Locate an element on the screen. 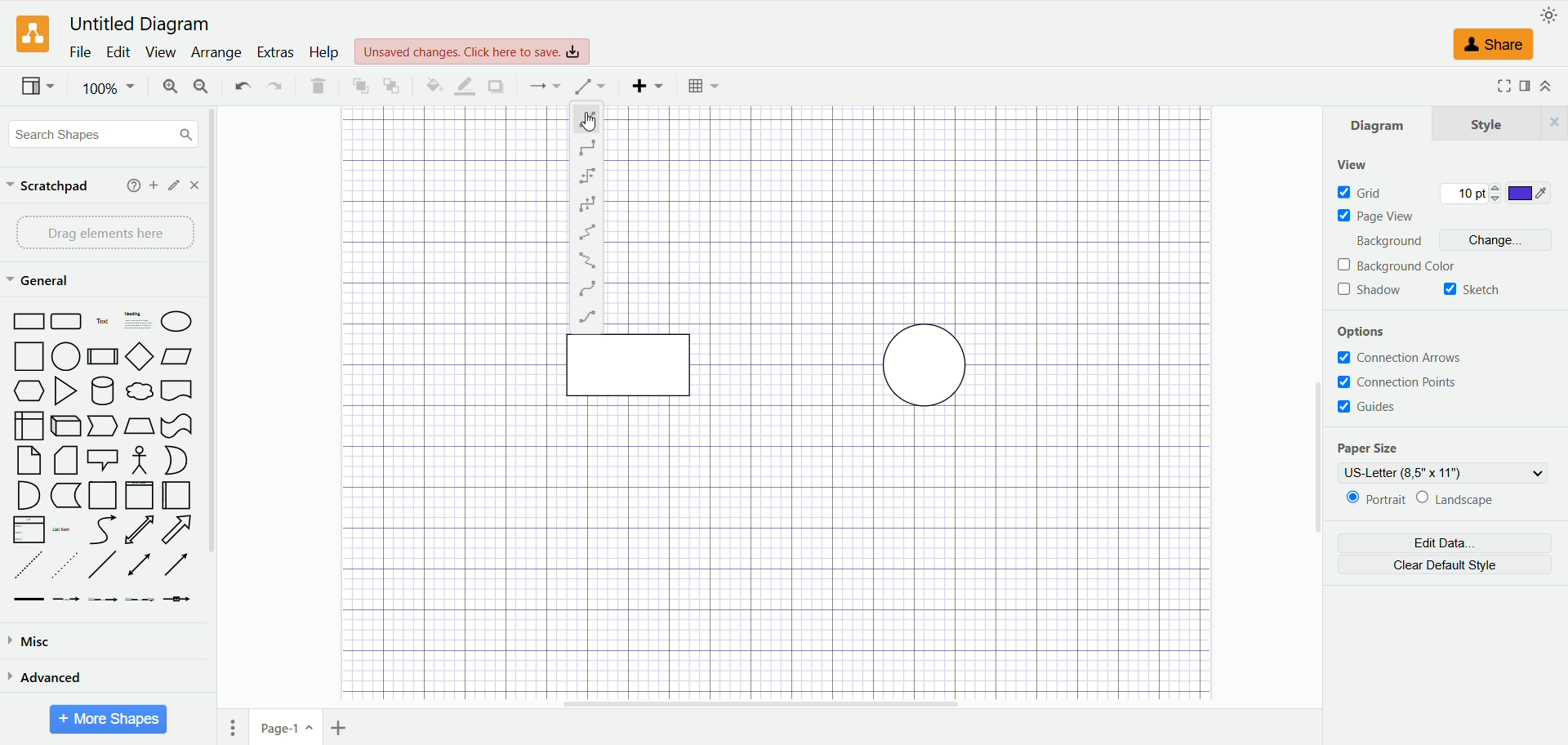  Connector with 2 Labels is located at coordinates (104, 603).